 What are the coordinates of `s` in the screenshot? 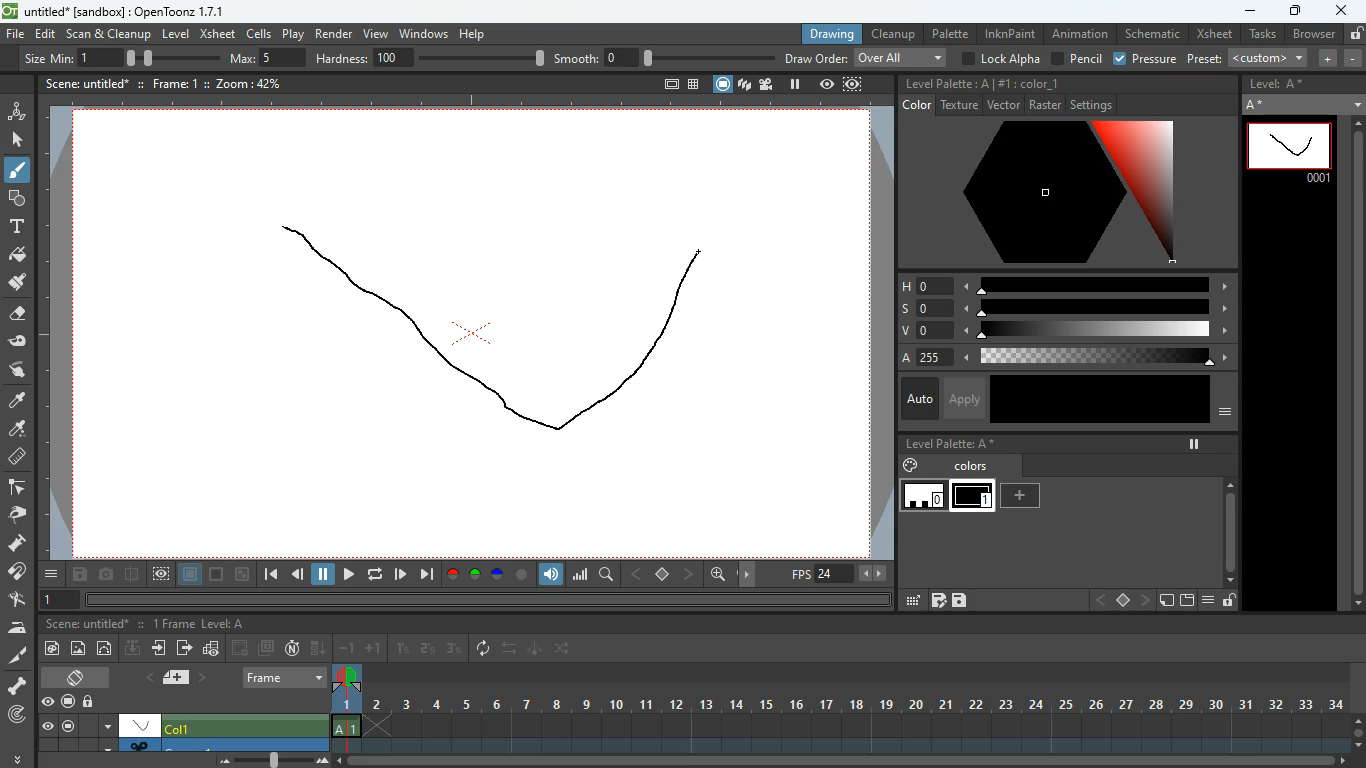 It's located at (1064, 308).